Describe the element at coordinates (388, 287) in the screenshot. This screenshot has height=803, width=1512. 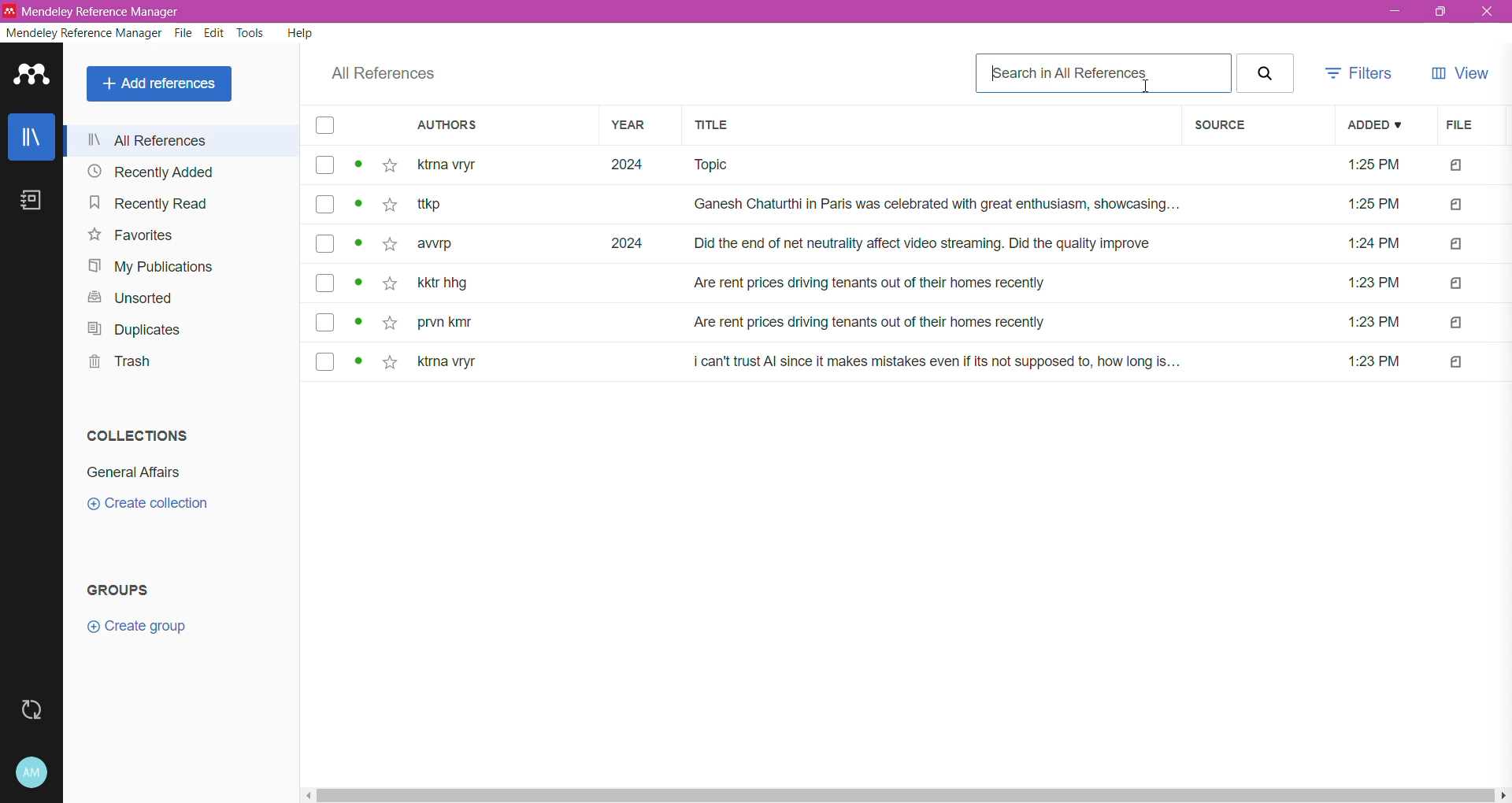
I see `click here to add to favourites` at that location.